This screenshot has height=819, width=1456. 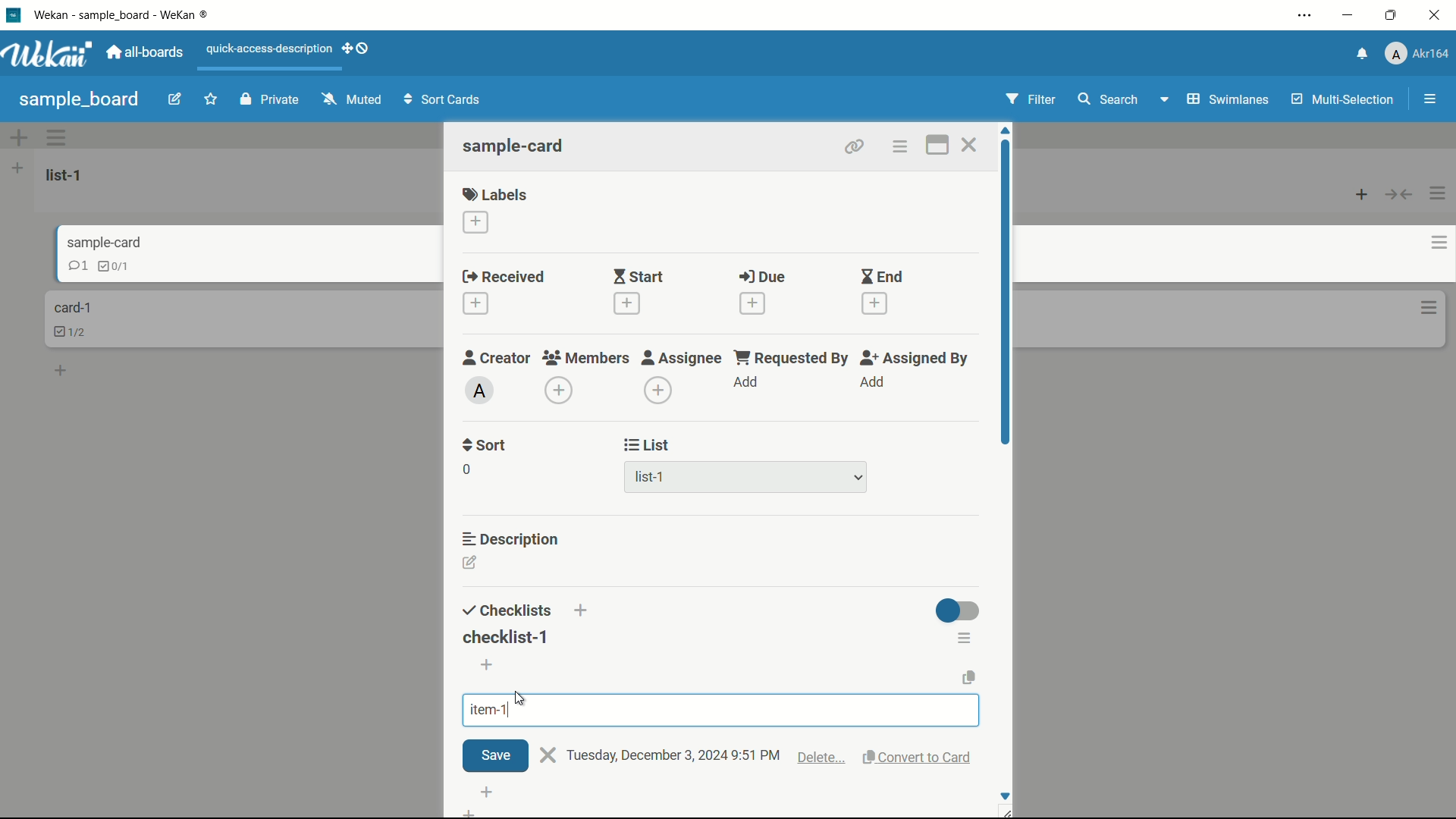 I want to click on search, so click(x=1108, y=99).